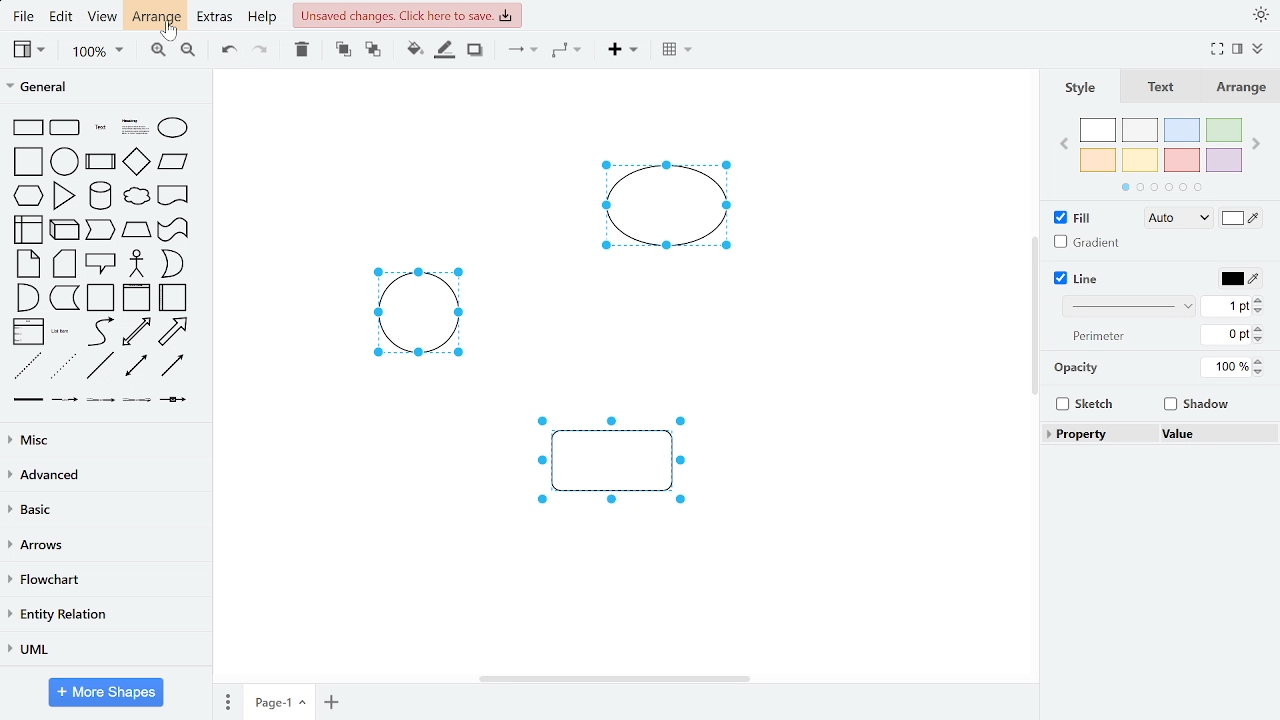 This screenshot has height=720, width=1280. What do you see at coordinates (1032, 314) in the screenshot?
I see `vertical scrollbar` at bounding box center [1032, 314].